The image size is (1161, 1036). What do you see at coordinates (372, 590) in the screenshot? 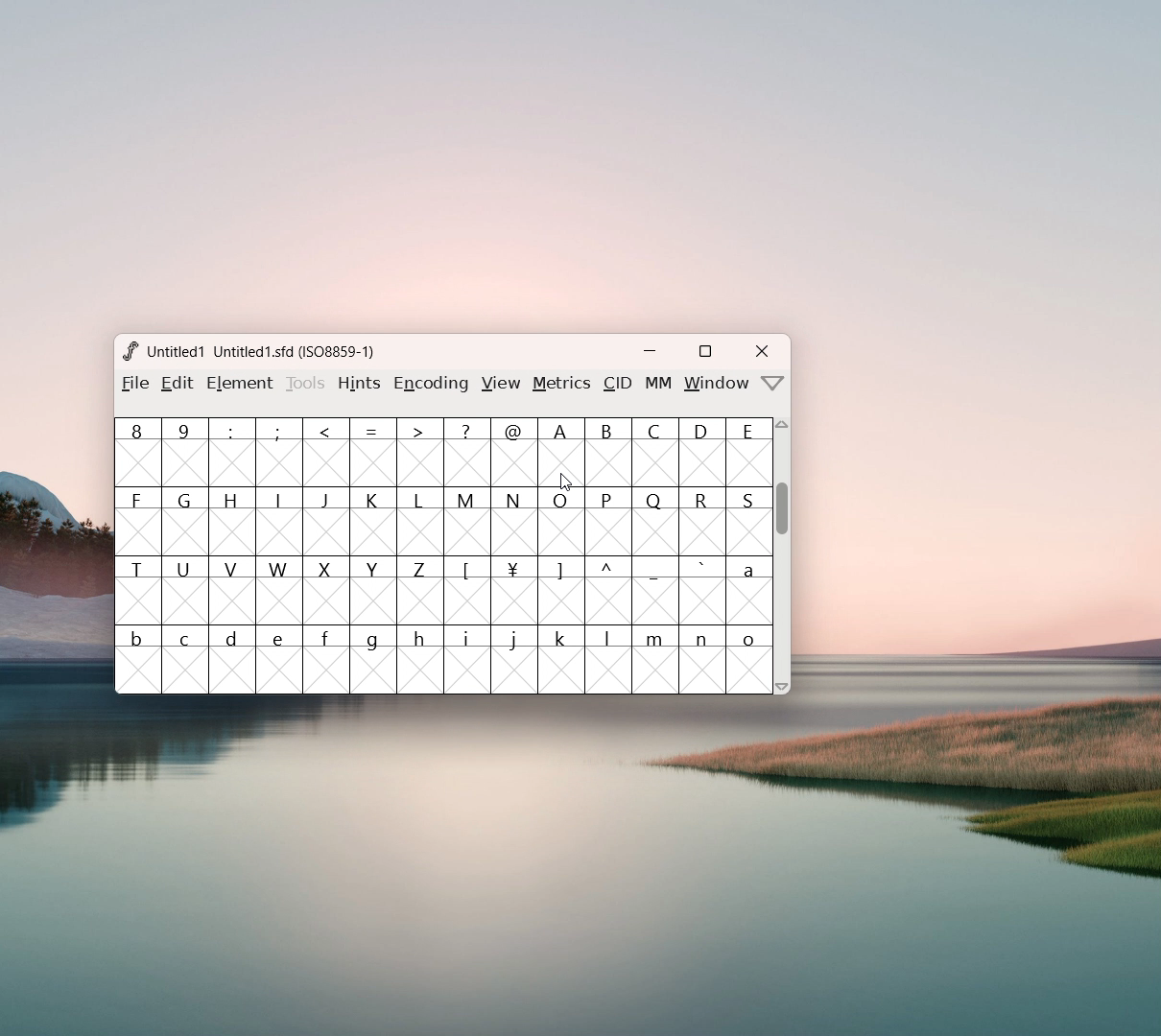
I see `Y` at bounding box center [372, 590].